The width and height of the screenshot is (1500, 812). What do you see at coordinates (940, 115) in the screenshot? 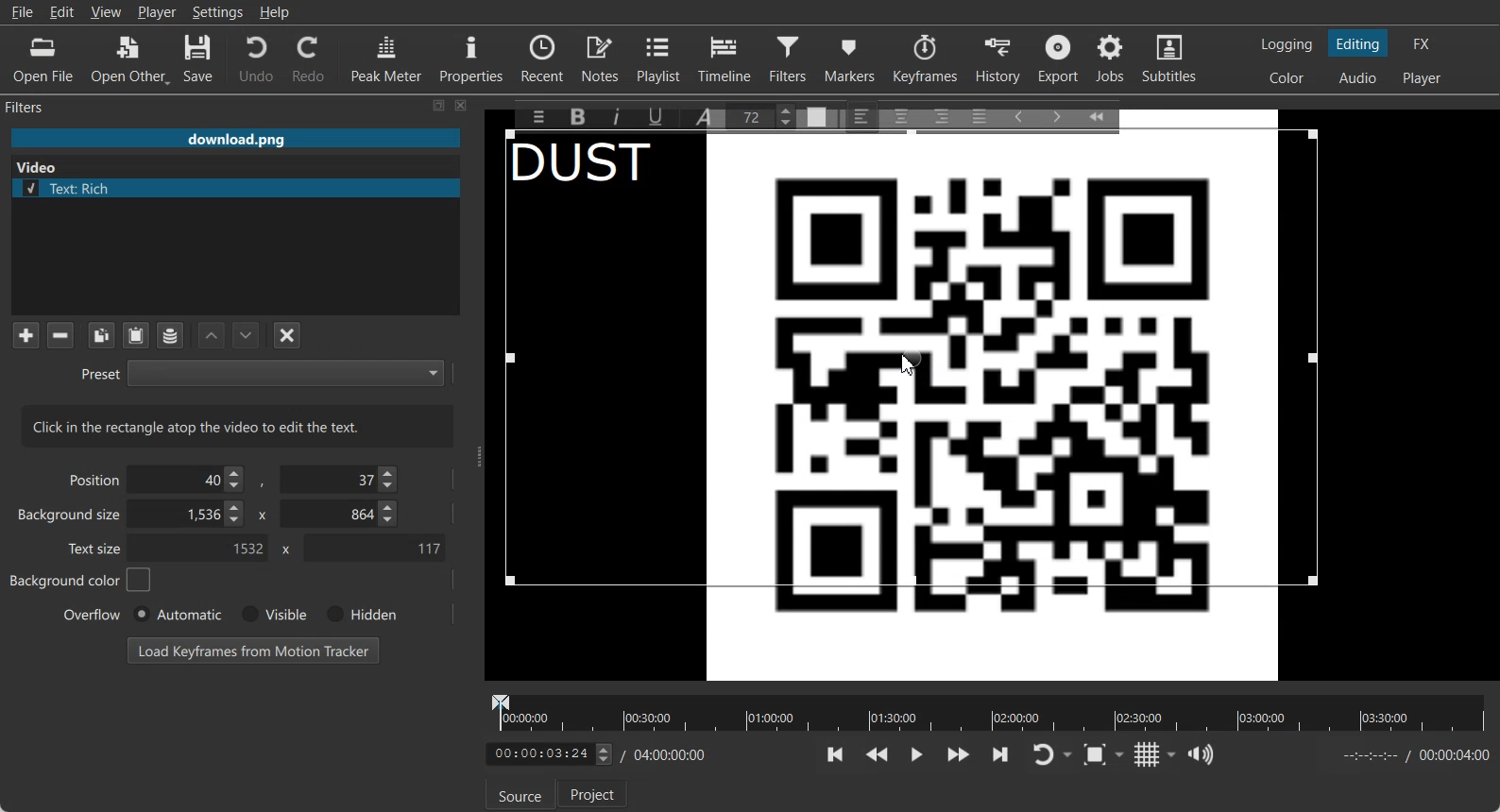
I see `Right` at bounding box center [940, 115].